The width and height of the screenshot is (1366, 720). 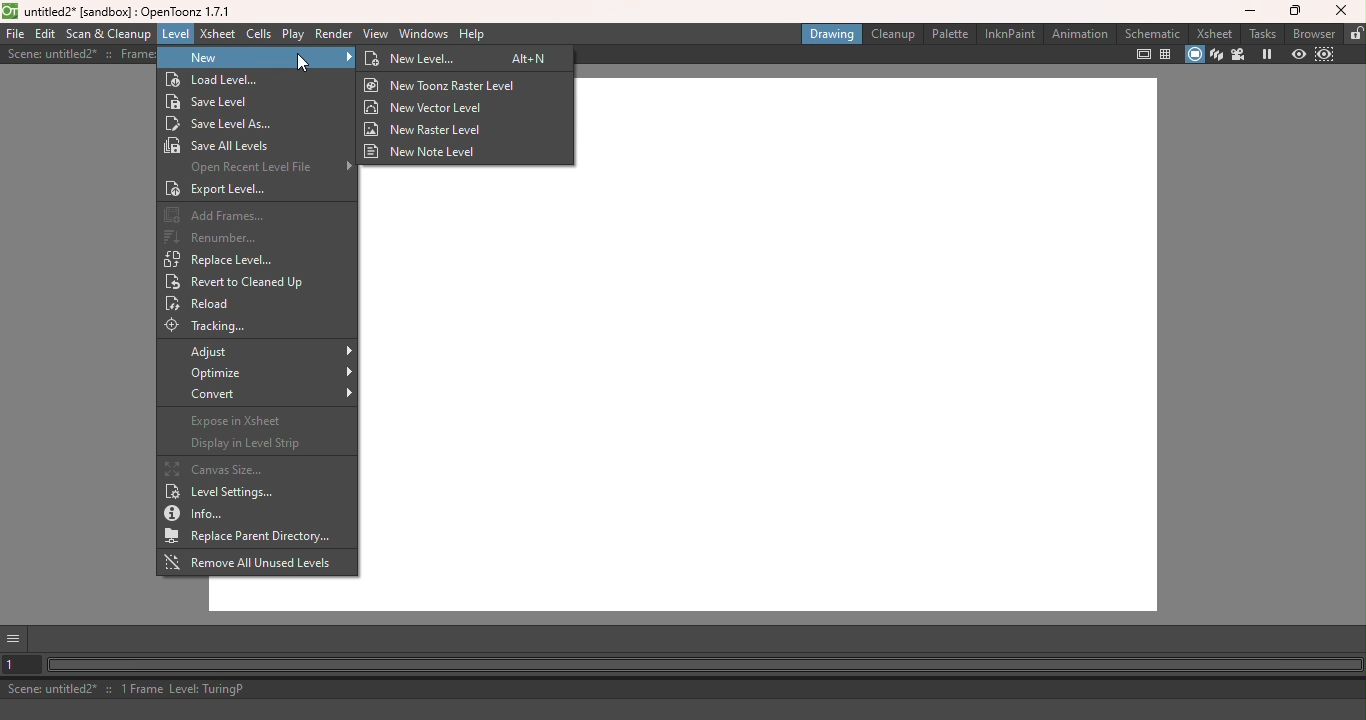 What do you see at coordinates (428, 108) in the screenshot?
I see `New vector level` at bounding box center [428, 108].